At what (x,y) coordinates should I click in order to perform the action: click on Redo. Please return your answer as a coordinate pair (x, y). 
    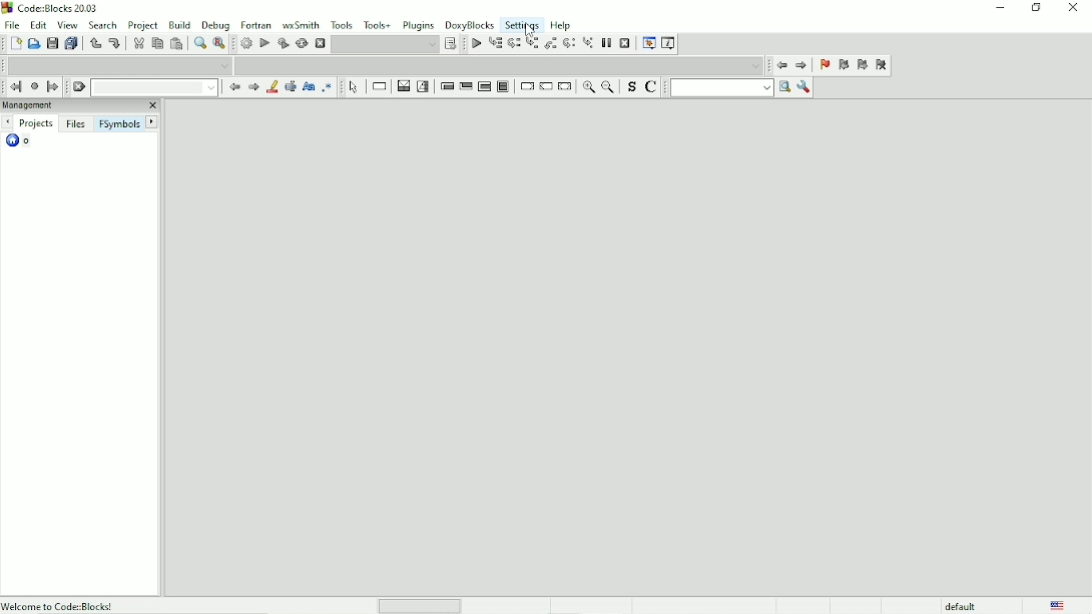
    Looking at the image, I should click on (115, 43).